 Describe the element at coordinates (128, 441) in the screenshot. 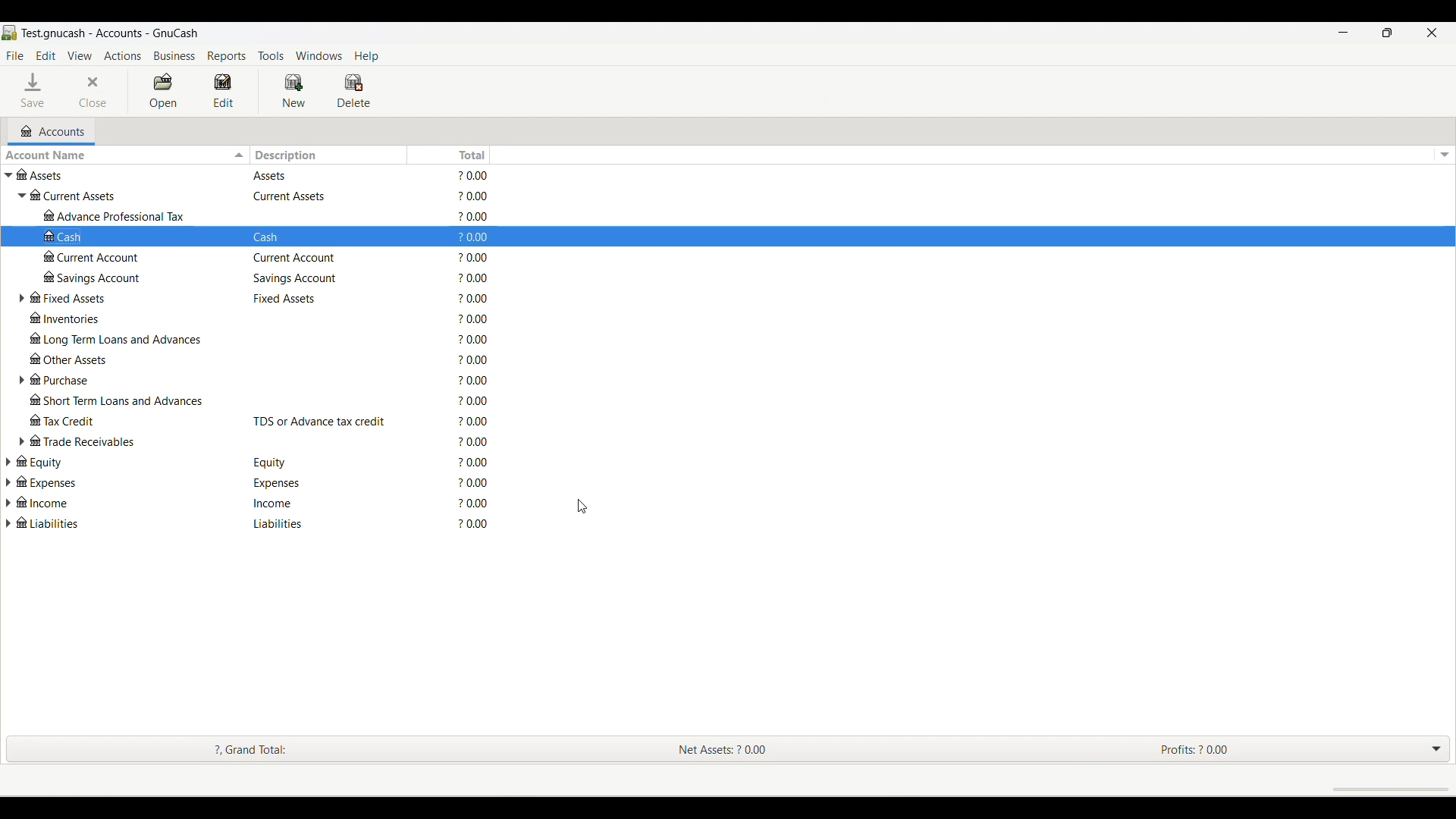

I see `Trade receivables` at that location.